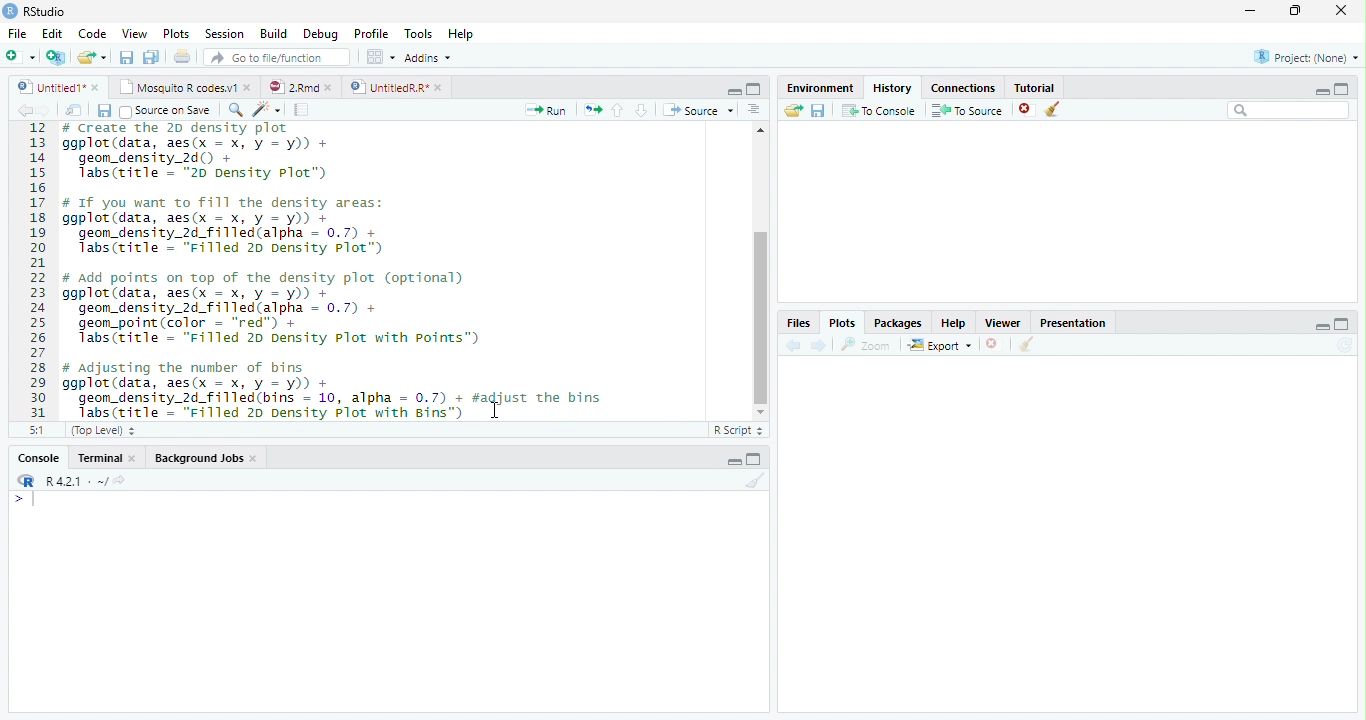  I want to click on maximize, so click(1344, 323).